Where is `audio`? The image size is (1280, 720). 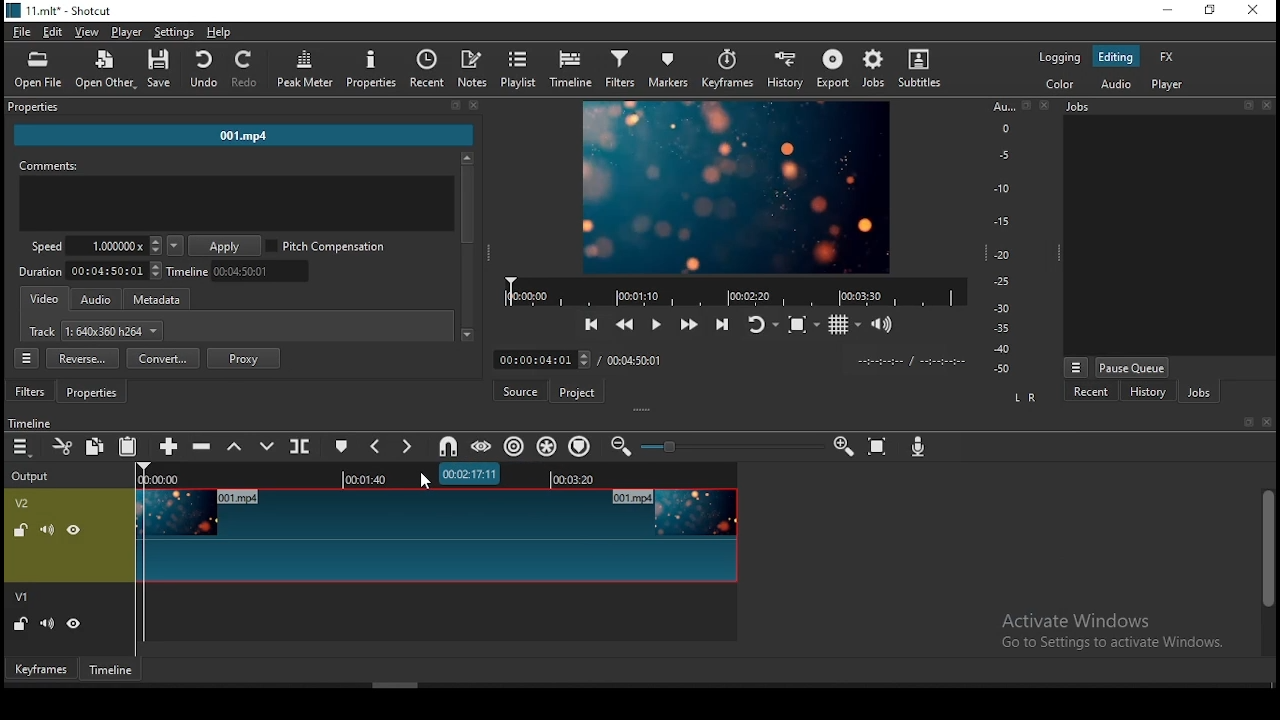
audio is located at coordinates (96, 300).